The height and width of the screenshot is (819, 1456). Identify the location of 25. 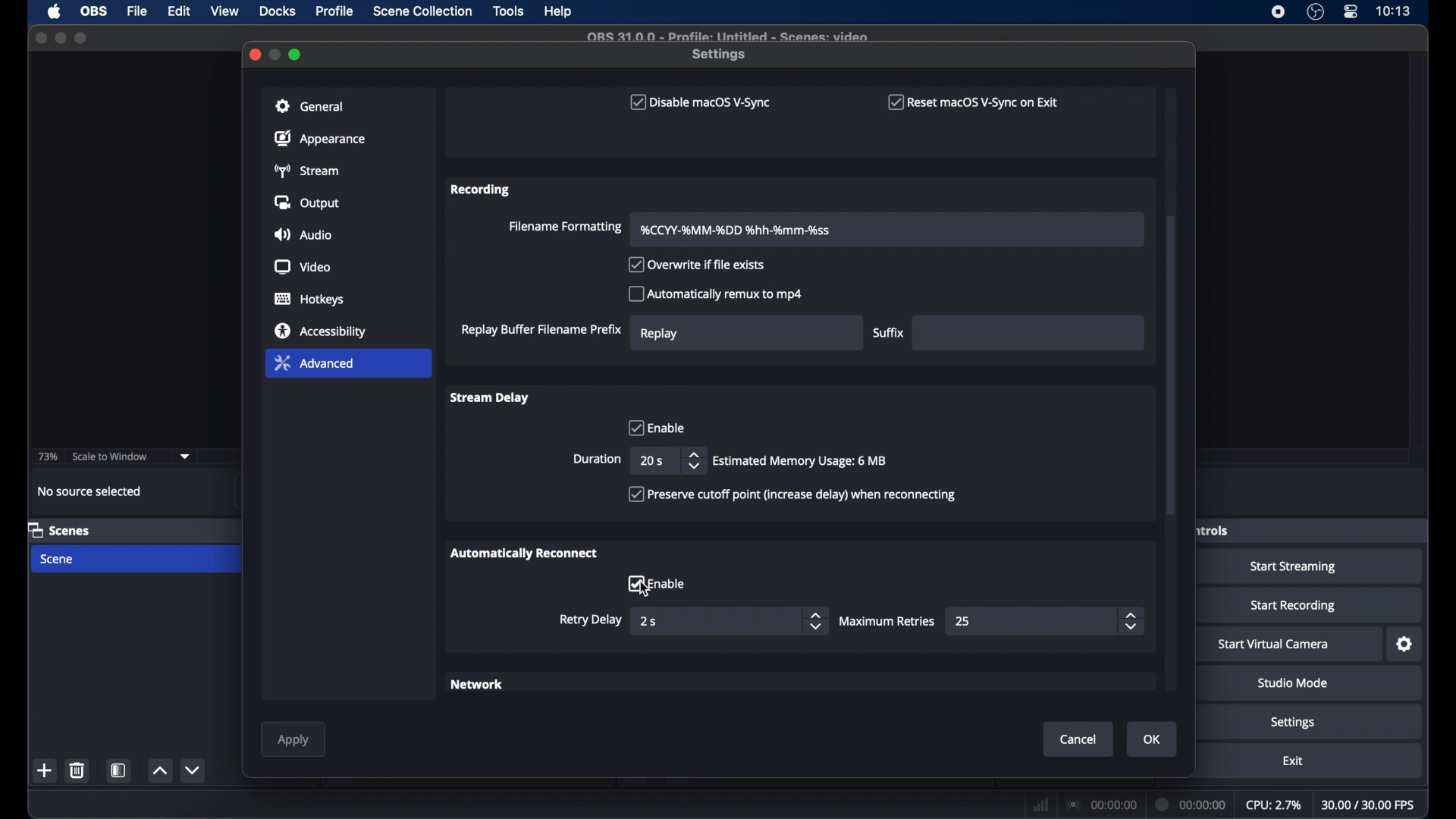
(964, 621).